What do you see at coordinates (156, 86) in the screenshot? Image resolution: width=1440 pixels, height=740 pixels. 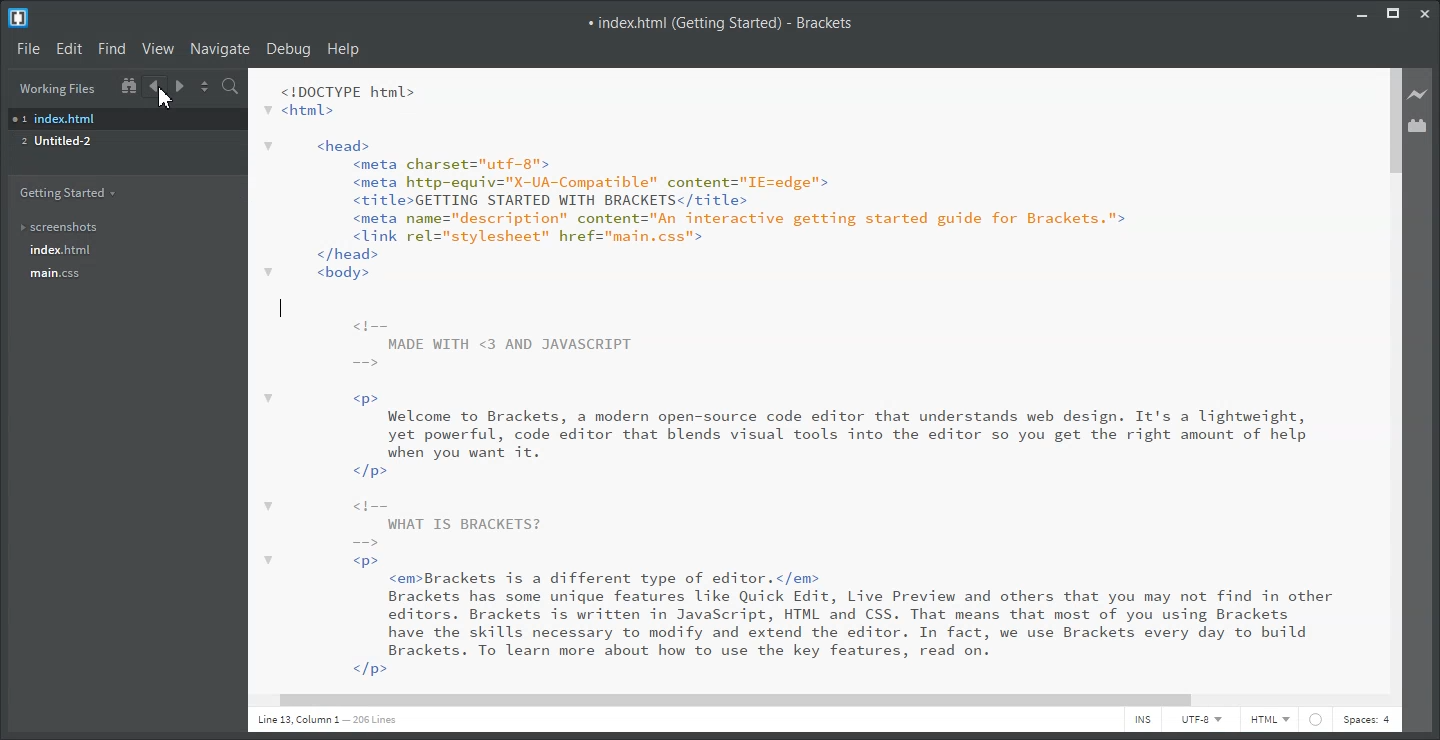 I see `Navigate Backward` at bounding box center [156, 86].